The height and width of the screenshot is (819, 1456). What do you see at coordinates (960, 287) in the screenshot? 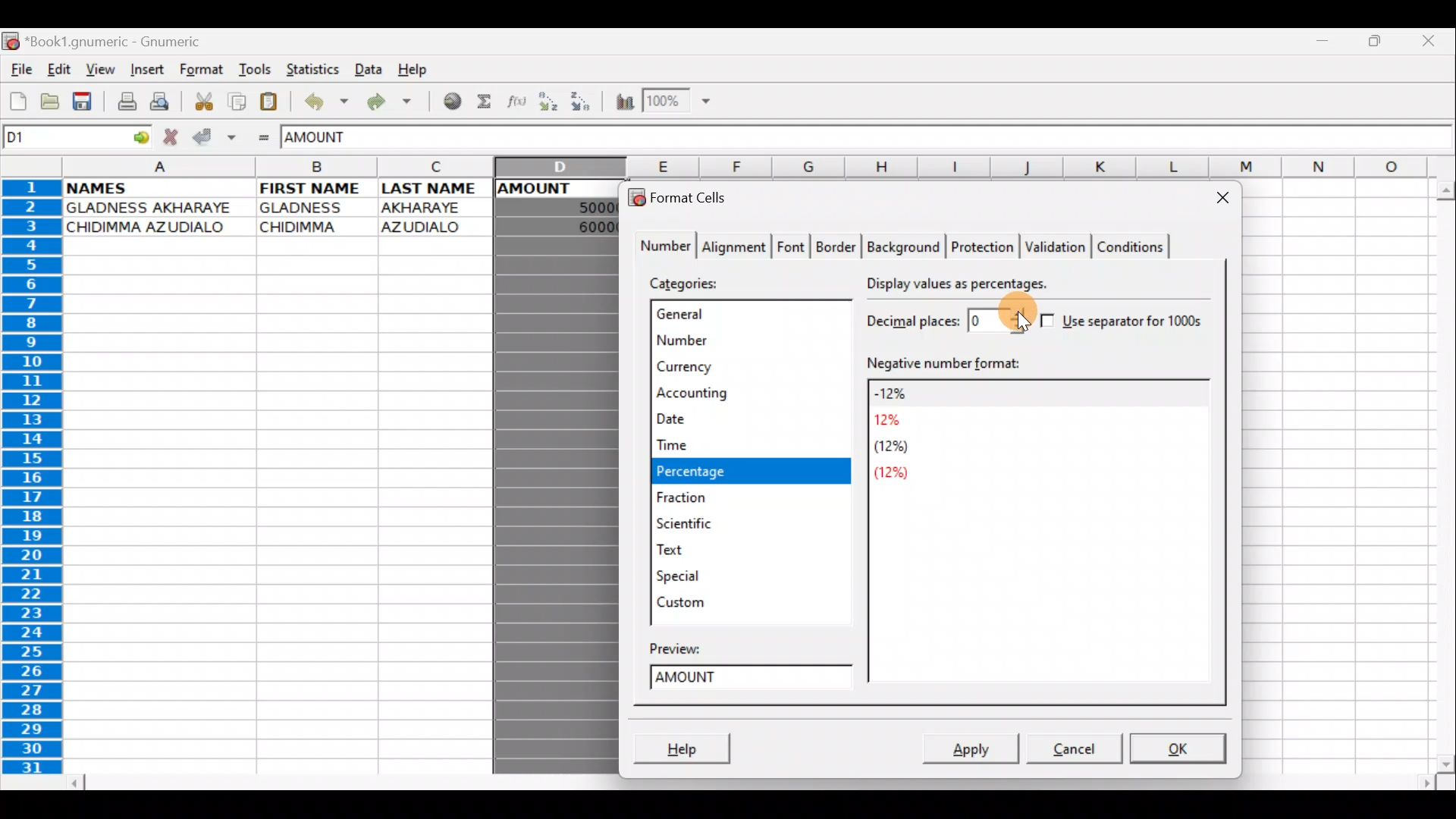
I see `Display values as percentages.` at bounding box center [960, 287].